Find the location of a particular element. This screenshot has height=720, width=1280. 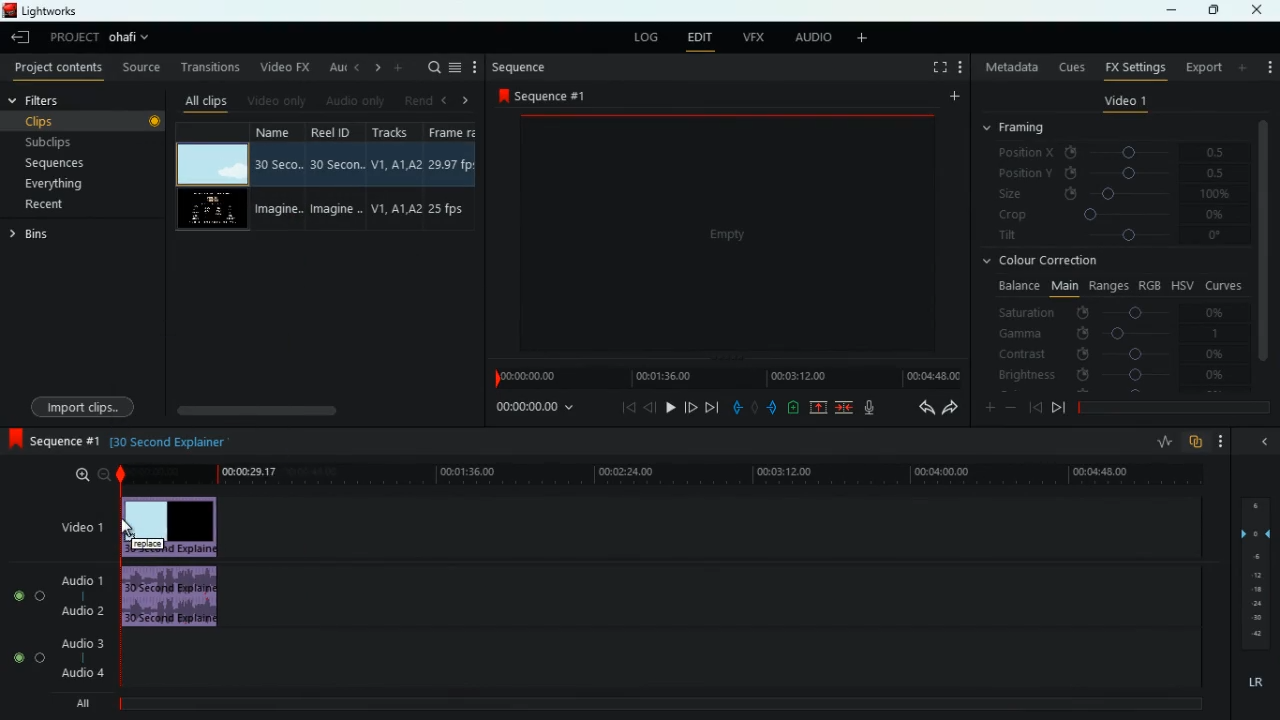

sequences is located at coordinates (58, 165).